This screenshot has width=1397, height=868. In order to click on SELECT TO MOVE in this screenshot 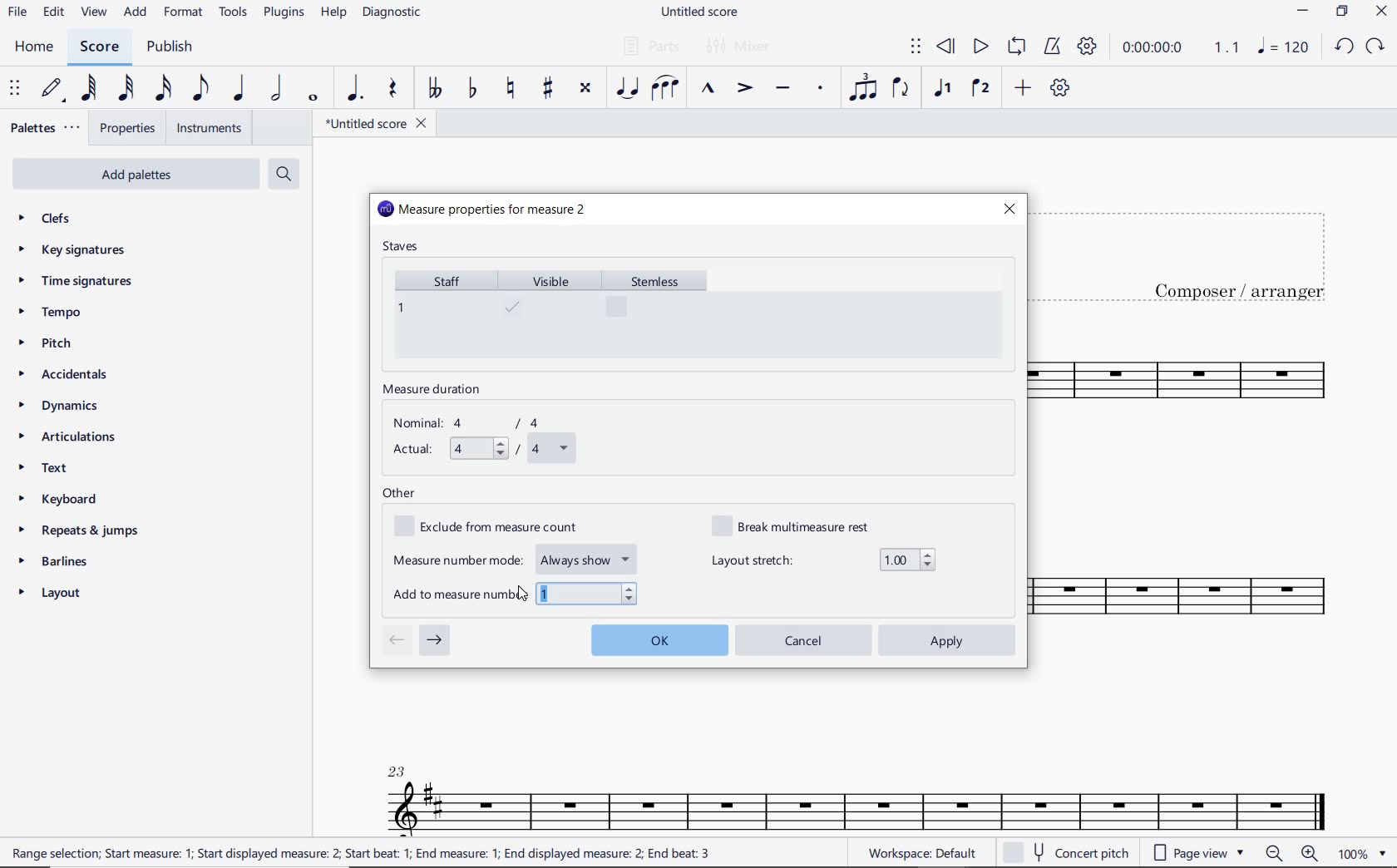, I will do `click(916, 47)`.